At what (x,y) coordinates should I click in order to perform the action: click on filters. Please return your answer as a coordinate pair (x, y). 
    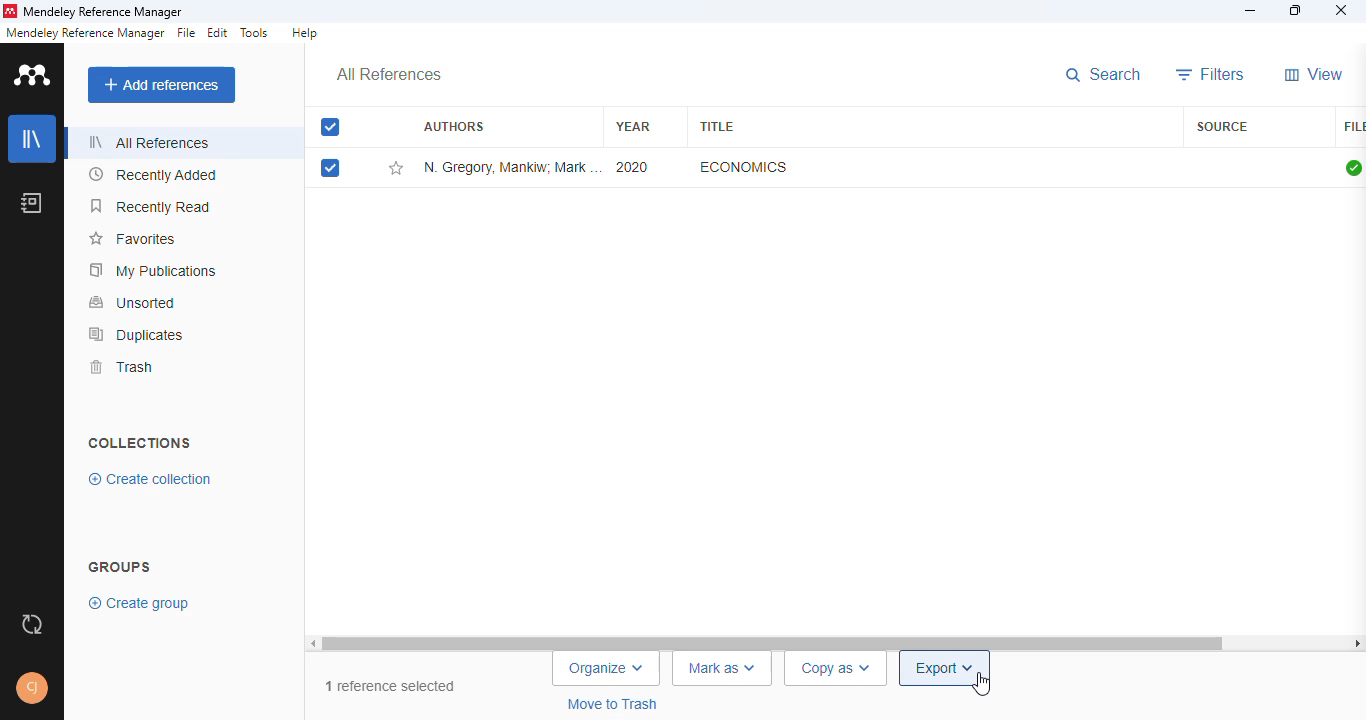
    Looking at the image, I should click on (1210, 75).